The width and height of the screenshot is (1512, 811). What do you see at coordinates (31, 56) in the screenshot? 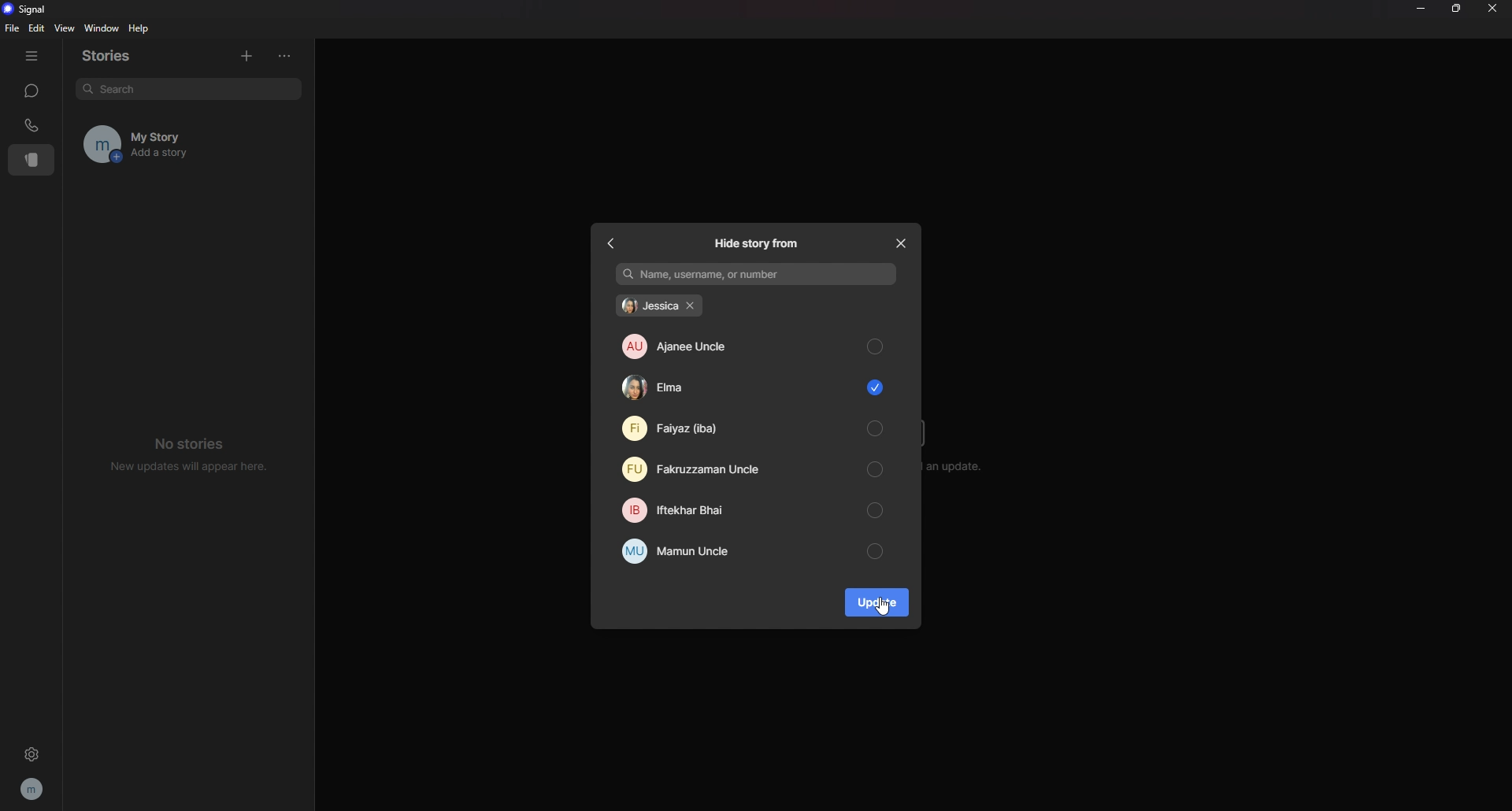
I see `hide tab` at bounding box center [31, 56].